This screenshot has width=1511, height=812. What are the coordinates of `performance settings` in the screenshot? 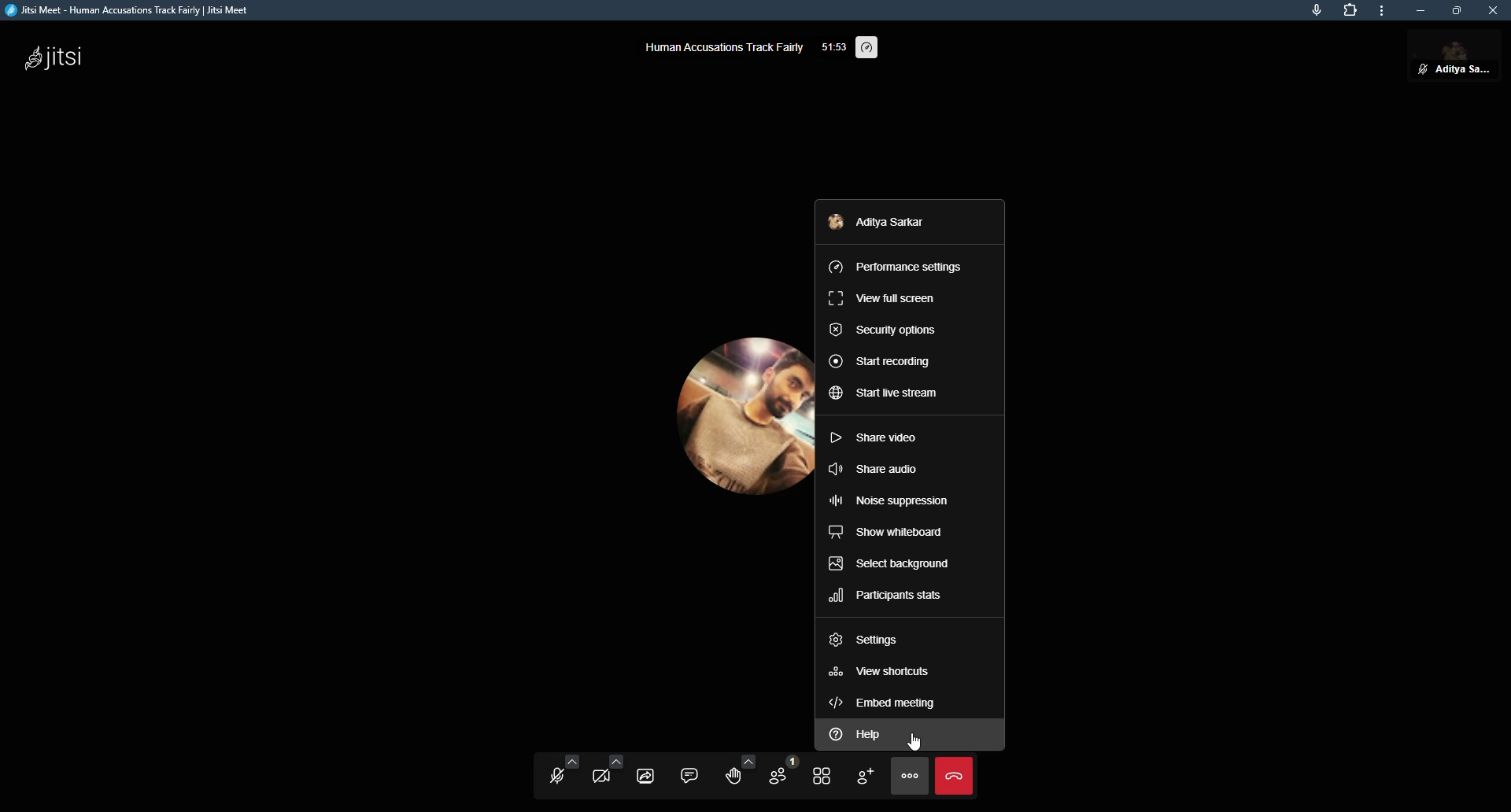 It's located at (897, 266).